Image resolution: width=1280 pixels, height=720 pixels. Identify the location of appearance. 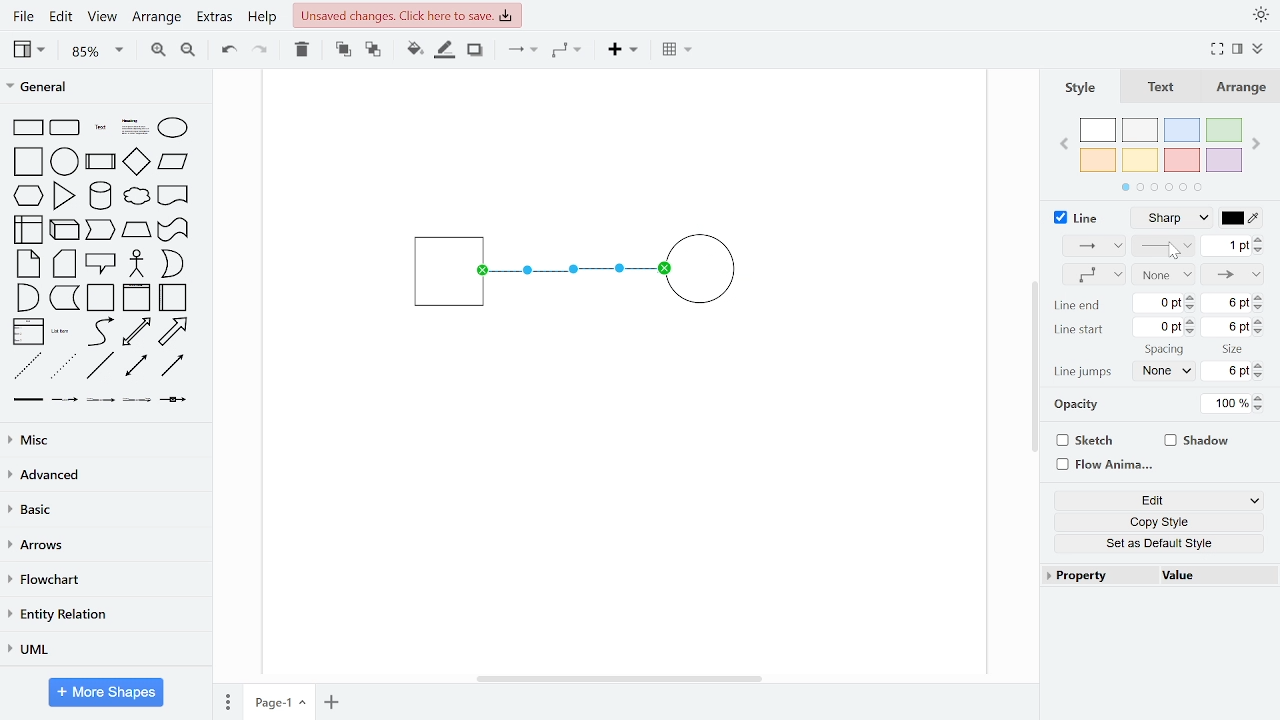
(1260, 15).